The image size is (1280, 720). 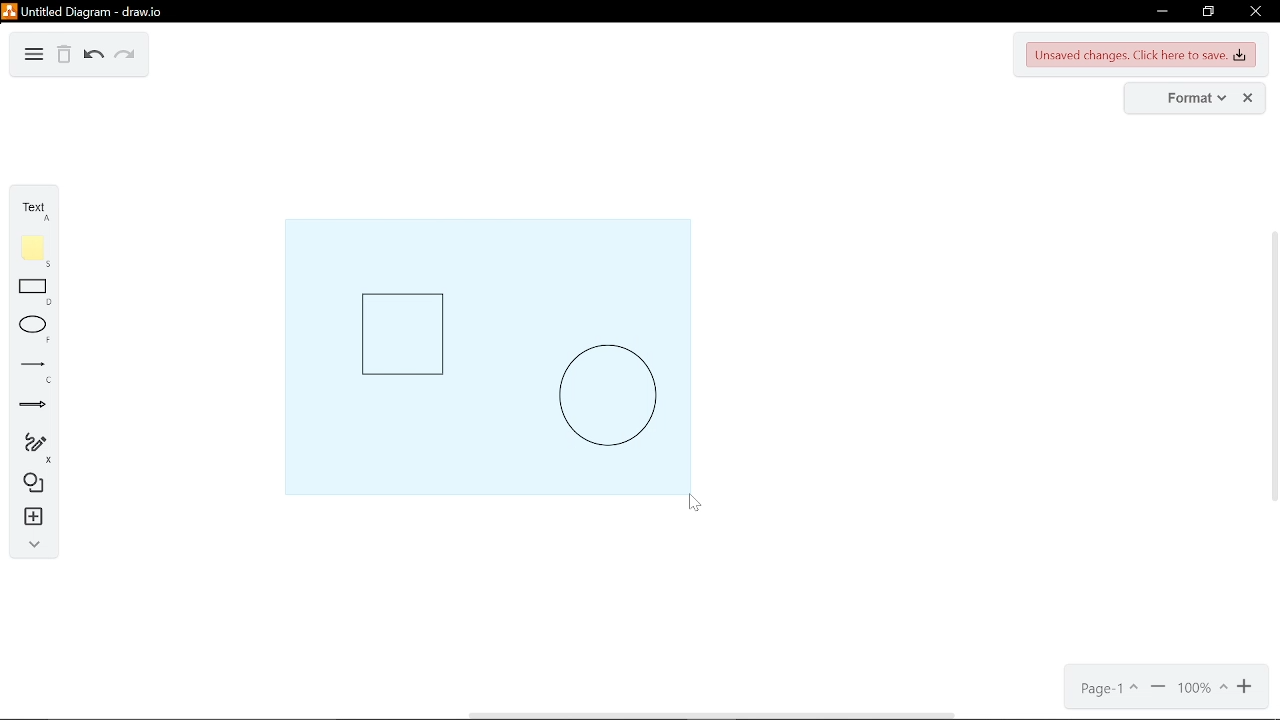 I want to click on minimize, so click(x=1160, y=13).